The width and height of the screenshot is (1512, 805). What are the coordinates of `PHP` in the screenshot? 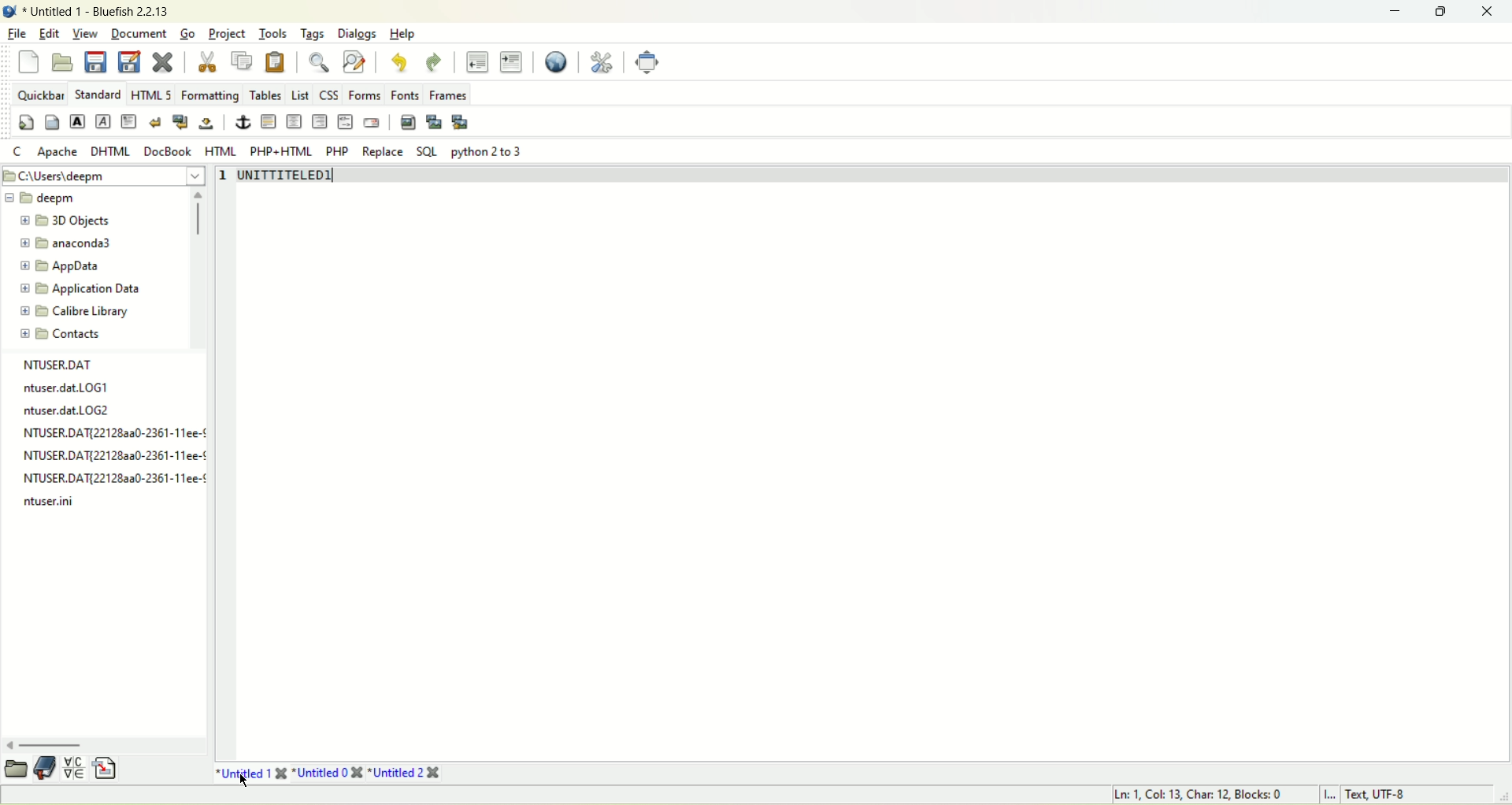 It's located at (335, 150).